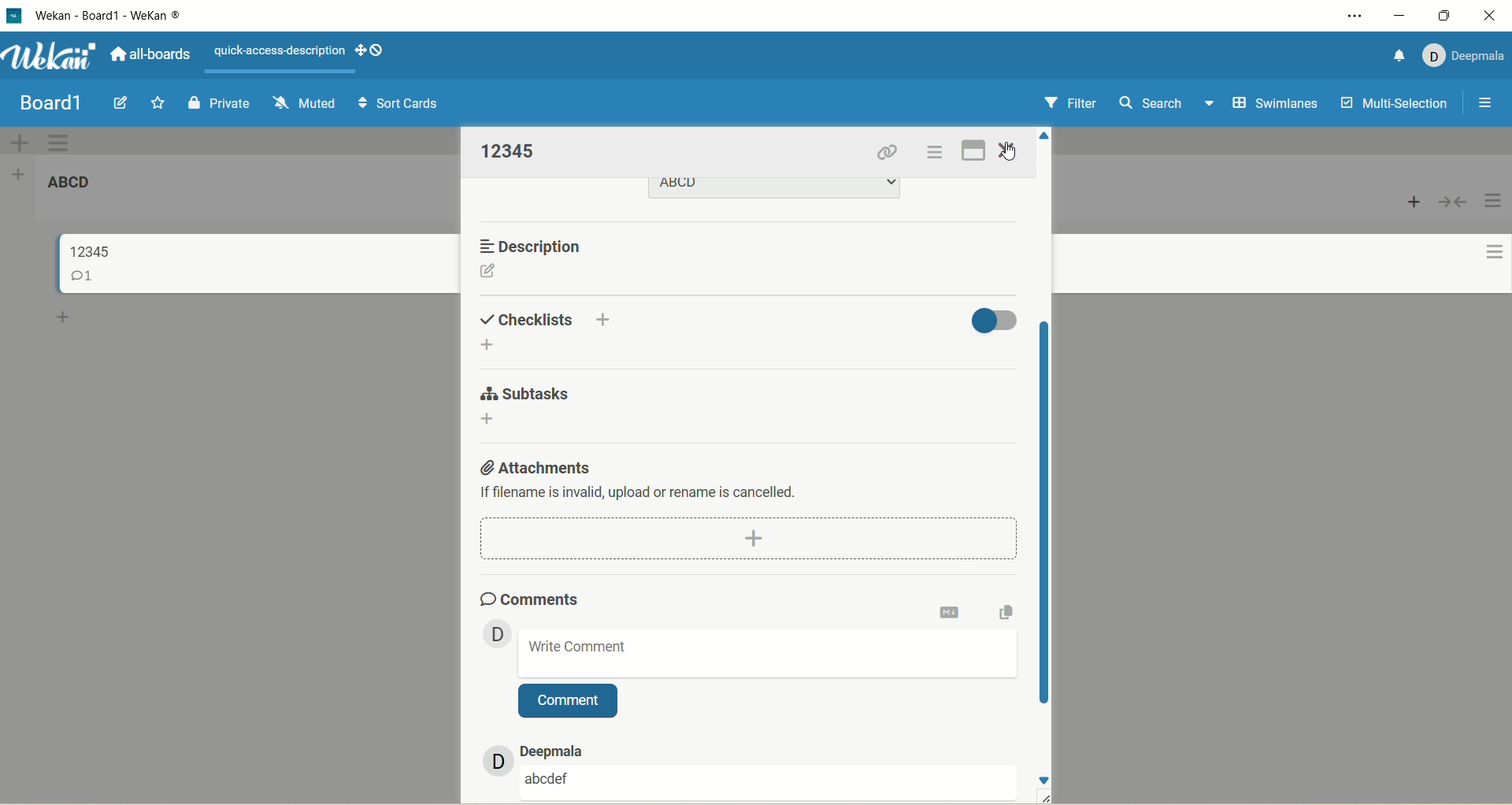 This screenshot has width=1512, height=805. I want to click on search, so click(1166, 105).